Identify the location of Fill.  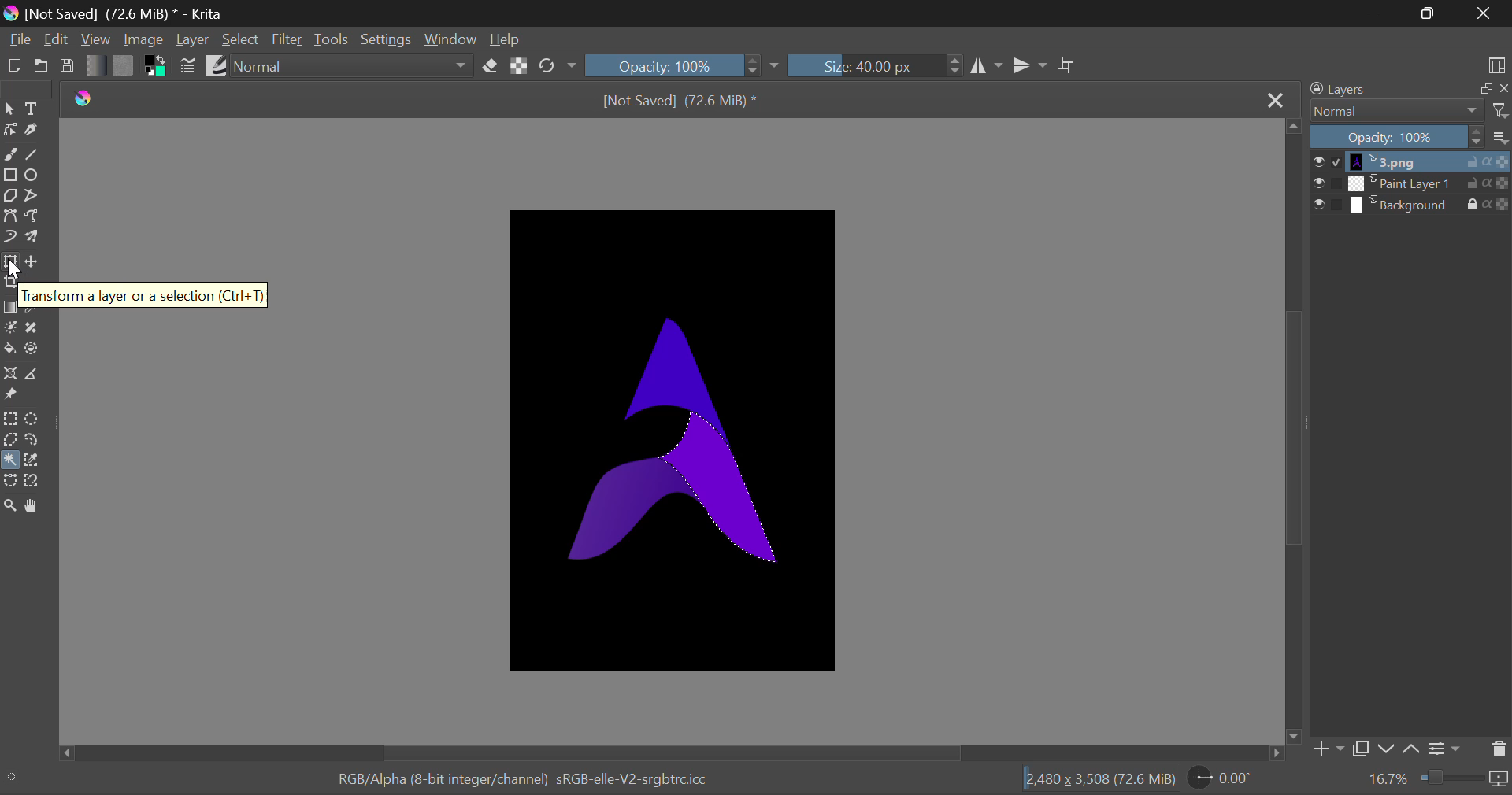
(10, 352).